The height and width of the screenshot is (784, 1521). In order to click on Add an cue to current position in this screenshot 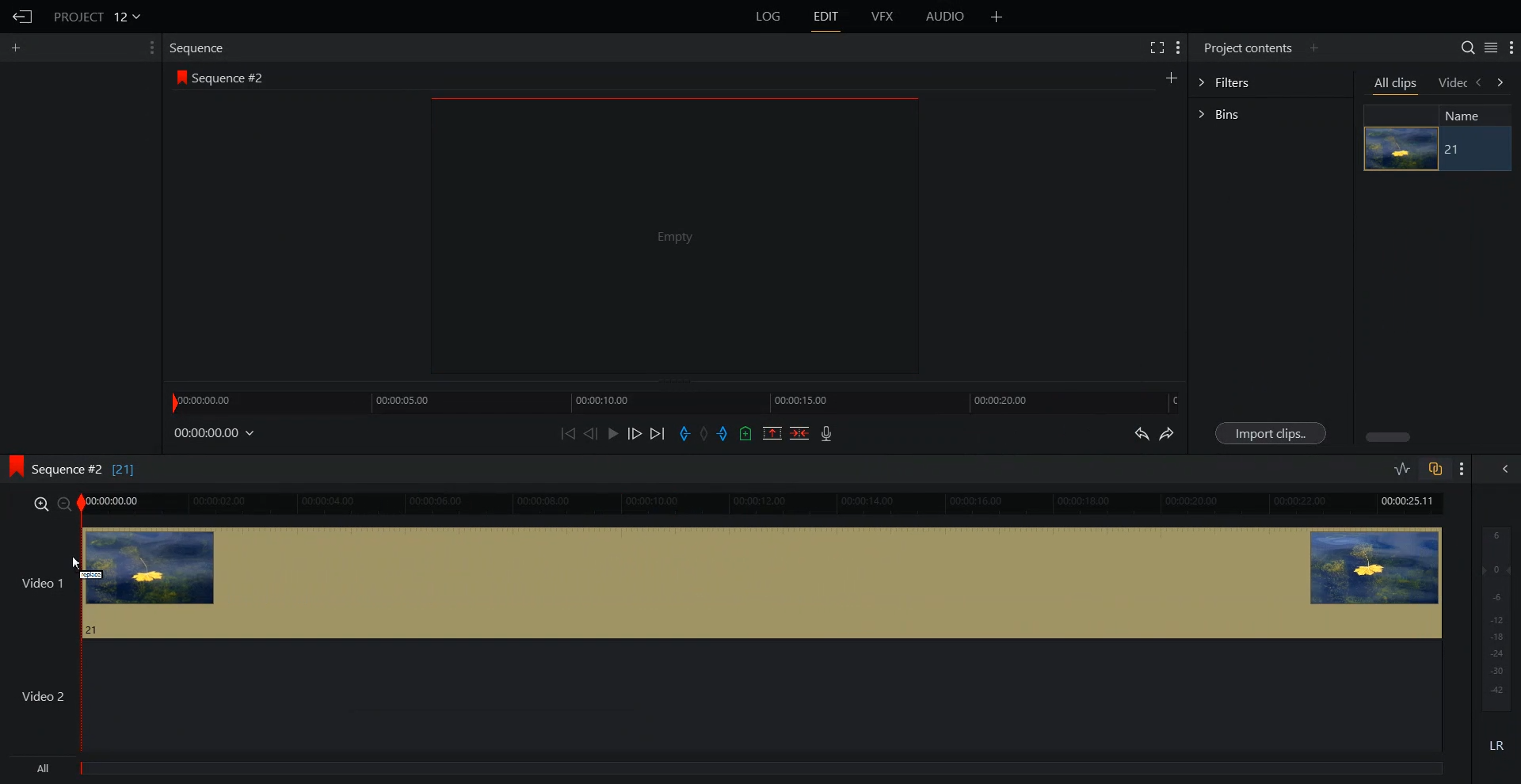, I will do `click(746, 433)`.